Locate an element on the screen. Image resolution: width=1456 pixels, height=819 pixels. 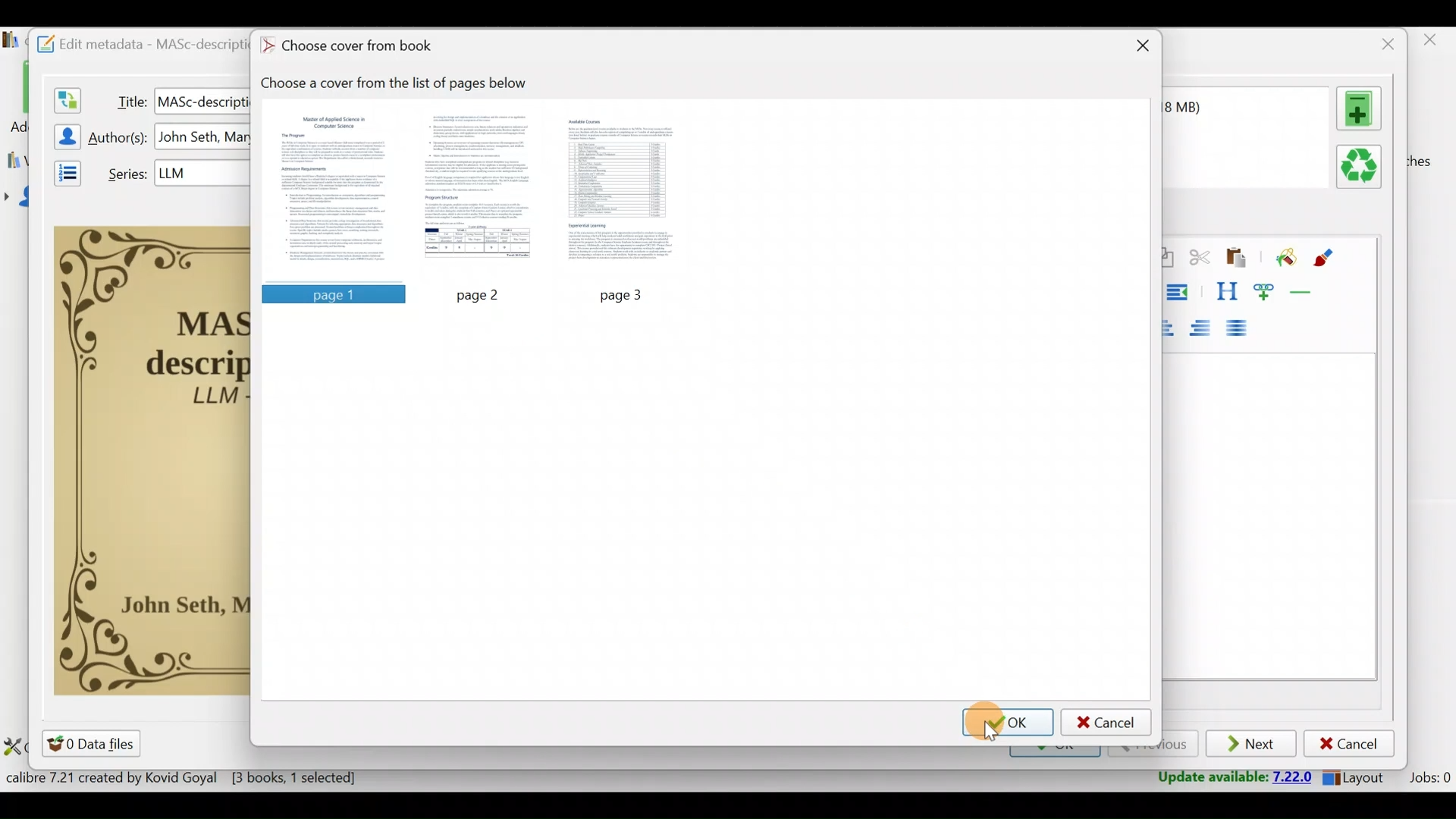
Align right is located at coordinates (1205, 329).